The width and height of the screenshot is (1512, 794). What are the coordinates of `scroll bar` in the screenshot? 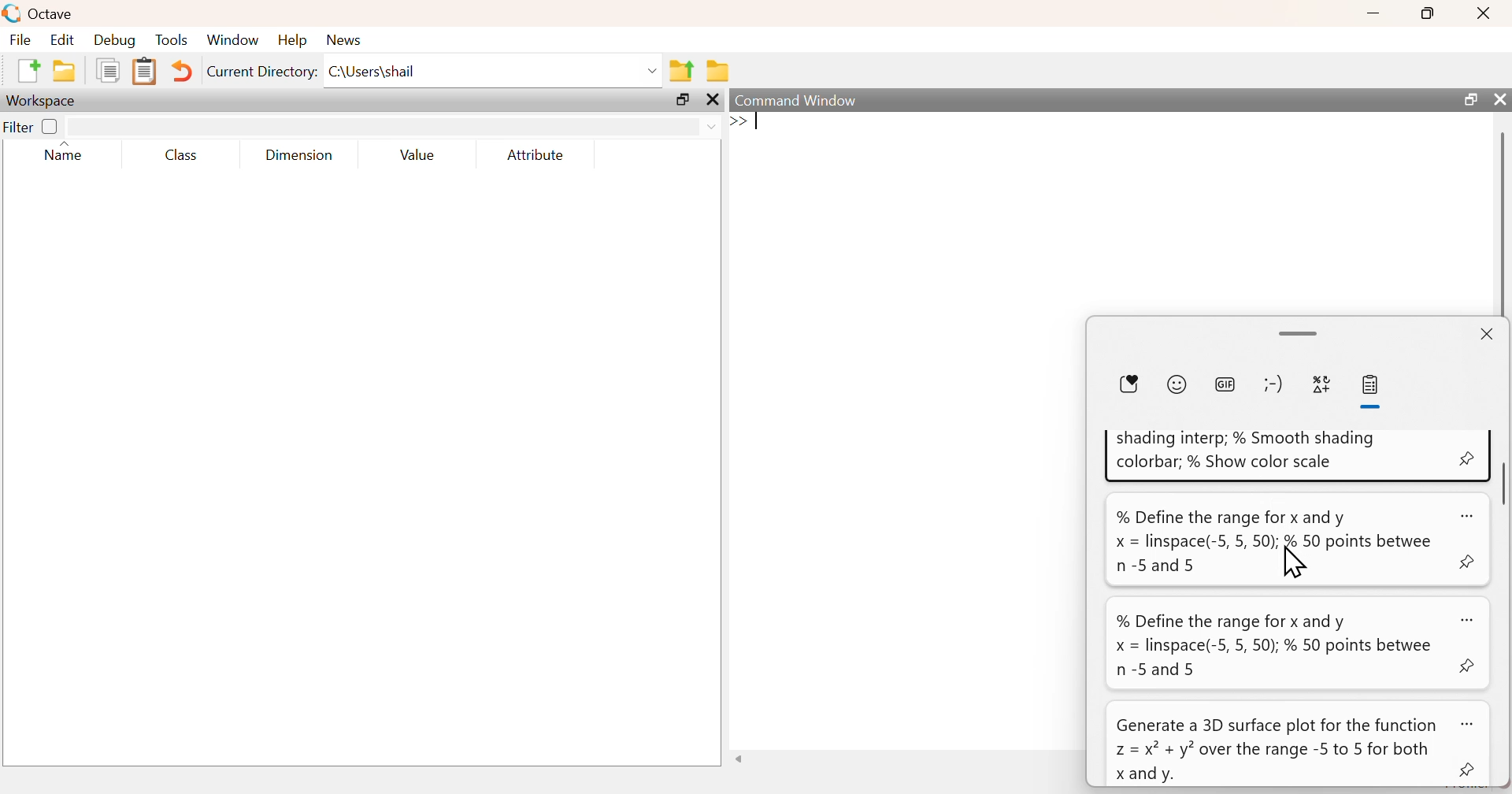 It's located at (1301, 333).